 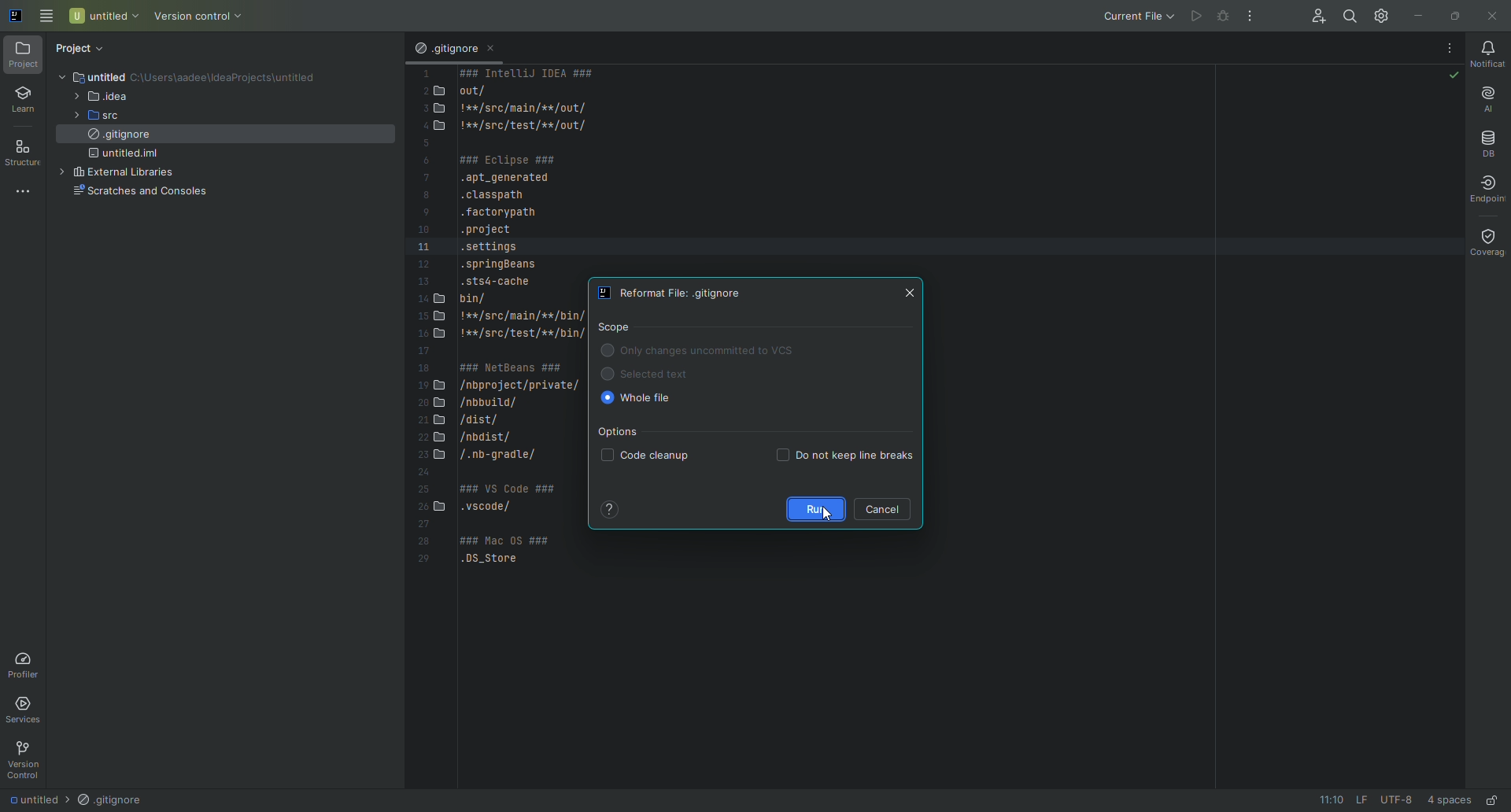 I want to click on Scratches and Console, so click(x=139, y=194).